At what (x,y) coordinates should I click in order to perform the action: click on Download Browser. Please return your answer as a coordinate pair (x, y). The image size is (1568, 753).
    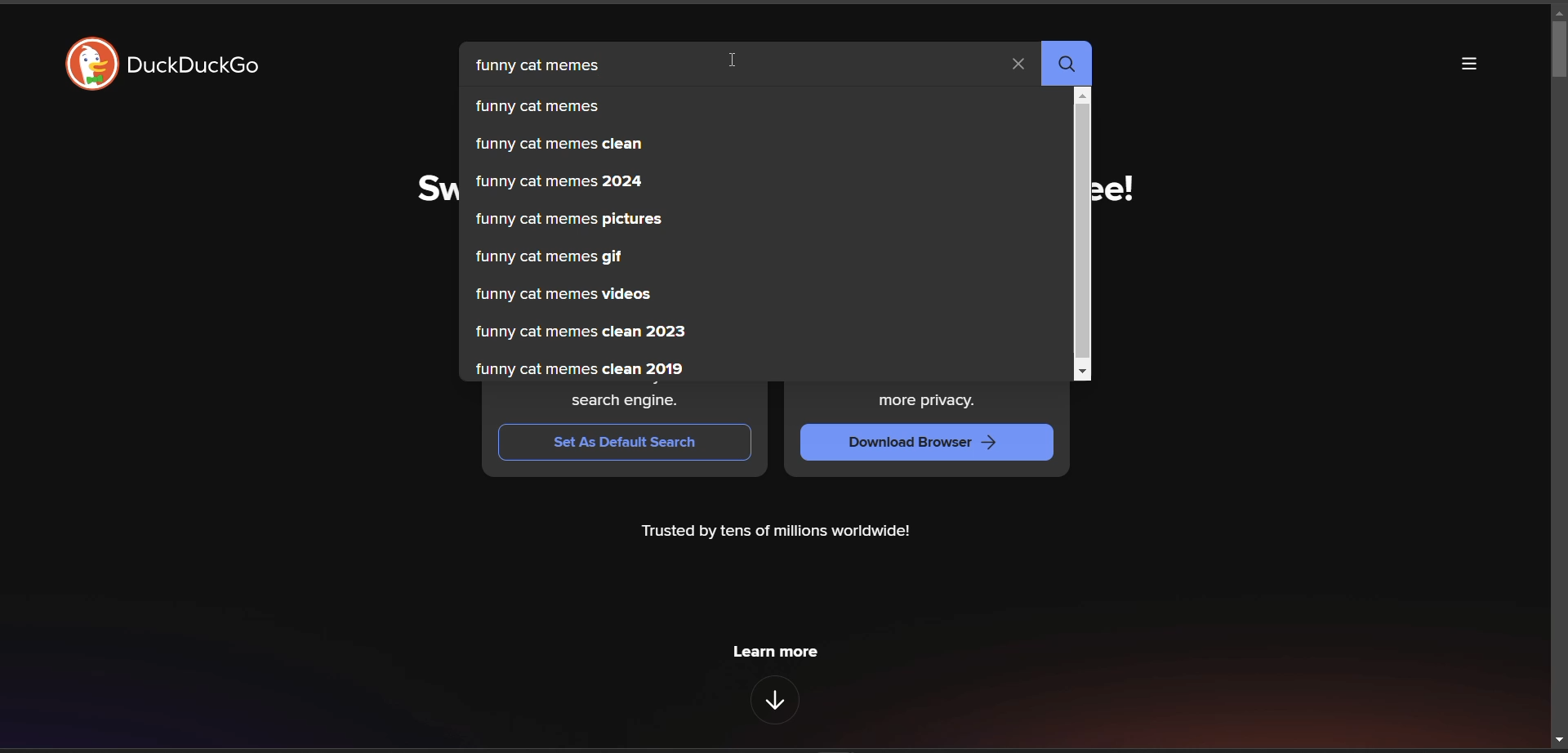
    Looking at the image, I should click on (929, 443).